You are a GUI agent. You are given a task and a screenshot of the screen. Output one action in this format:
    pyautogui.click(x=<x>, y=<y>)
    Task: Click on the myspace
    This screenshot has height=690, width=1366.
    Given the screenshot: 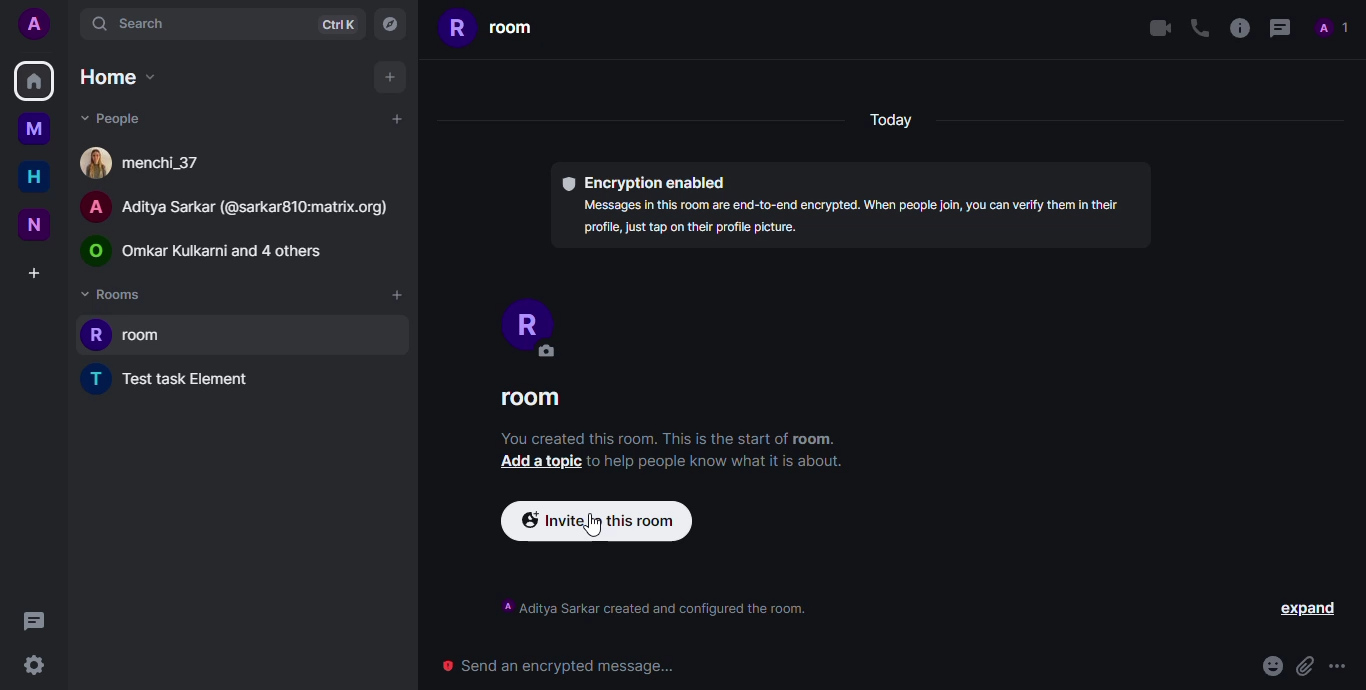 What is the action you would take?
    pyautogui.click(x=37, y=128)
    